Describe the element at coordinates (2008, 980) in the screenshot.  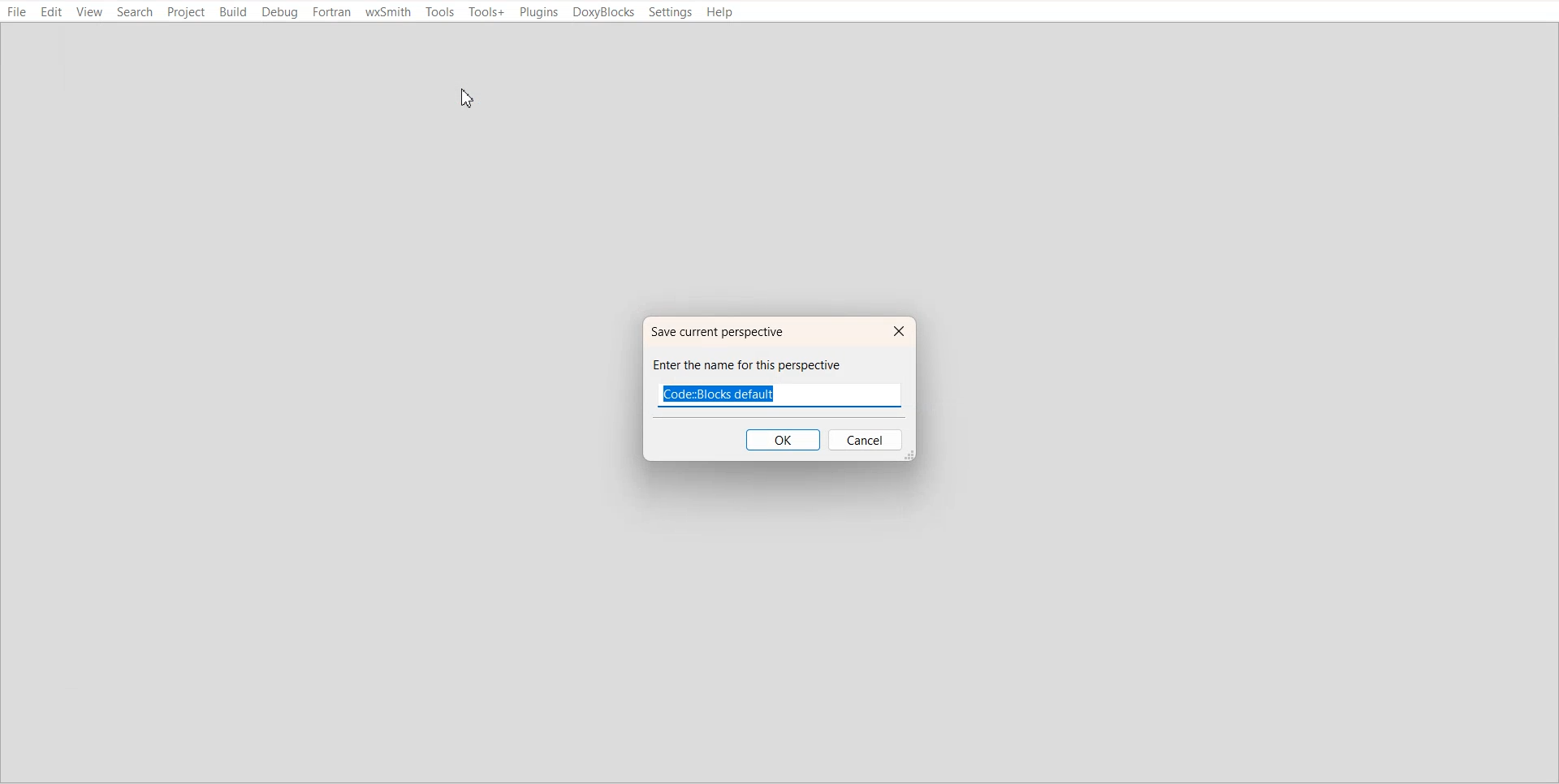
I see `Text` at that location.